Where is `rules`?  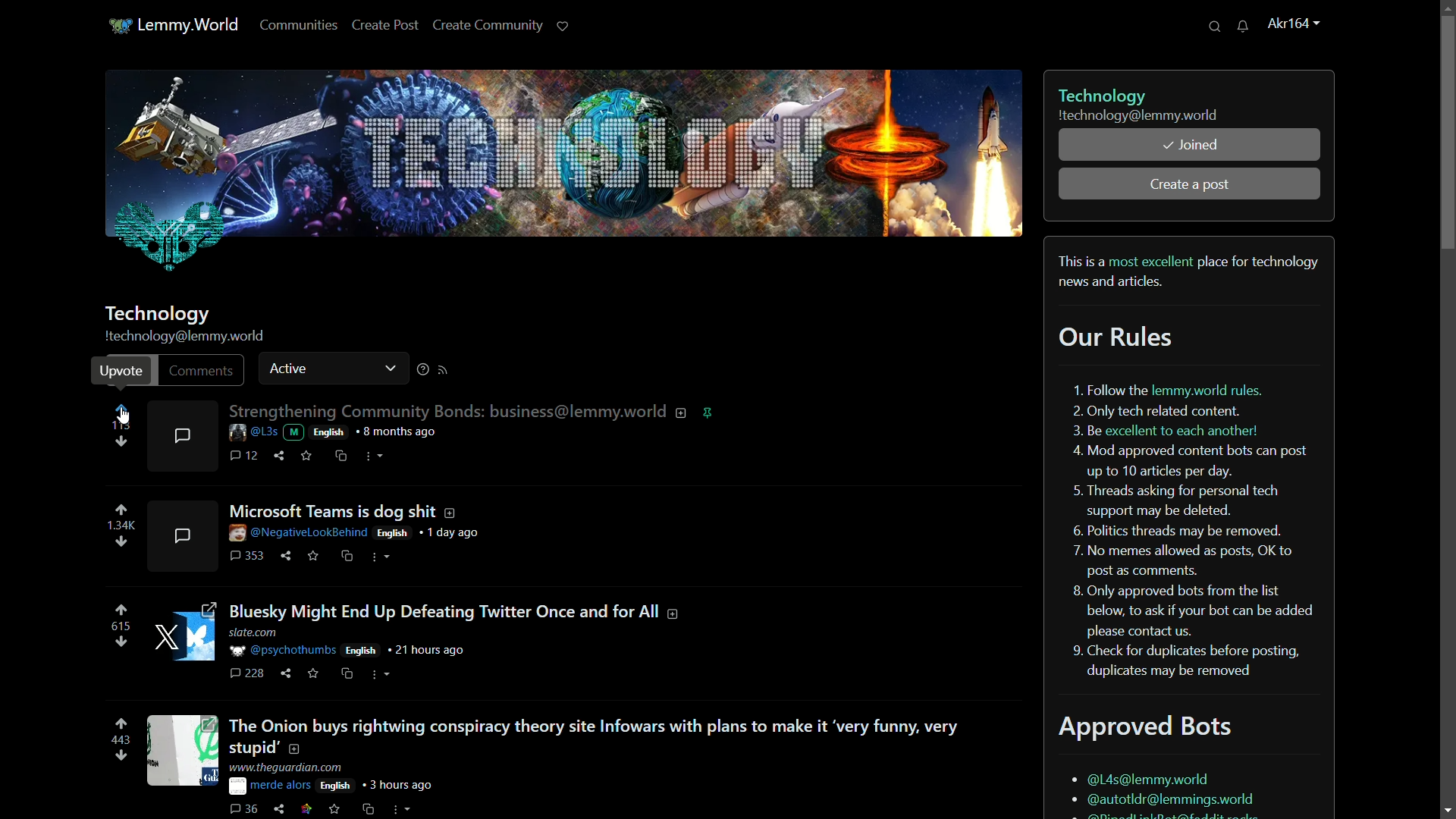
rules is located at coordinates (1188, 526).